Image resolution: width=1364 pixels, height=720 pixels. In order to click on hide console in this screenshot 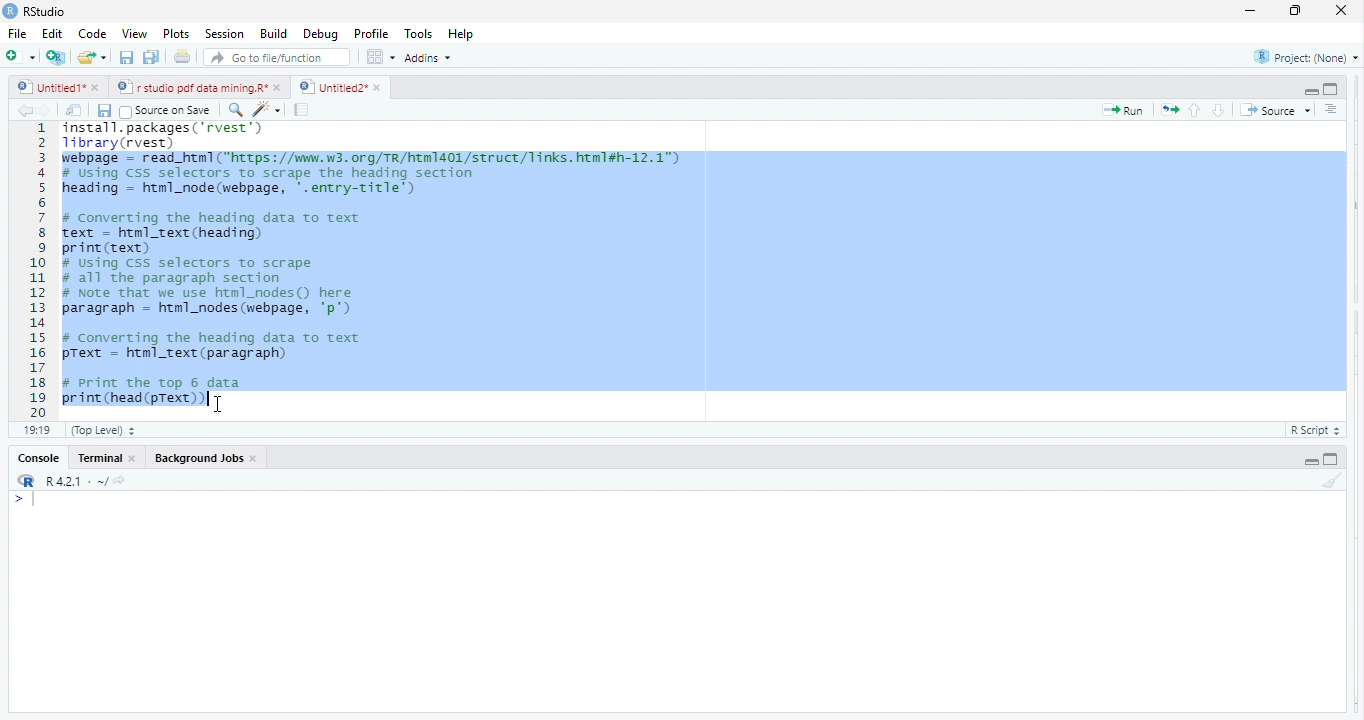, I will do `click(1331, 87)`.